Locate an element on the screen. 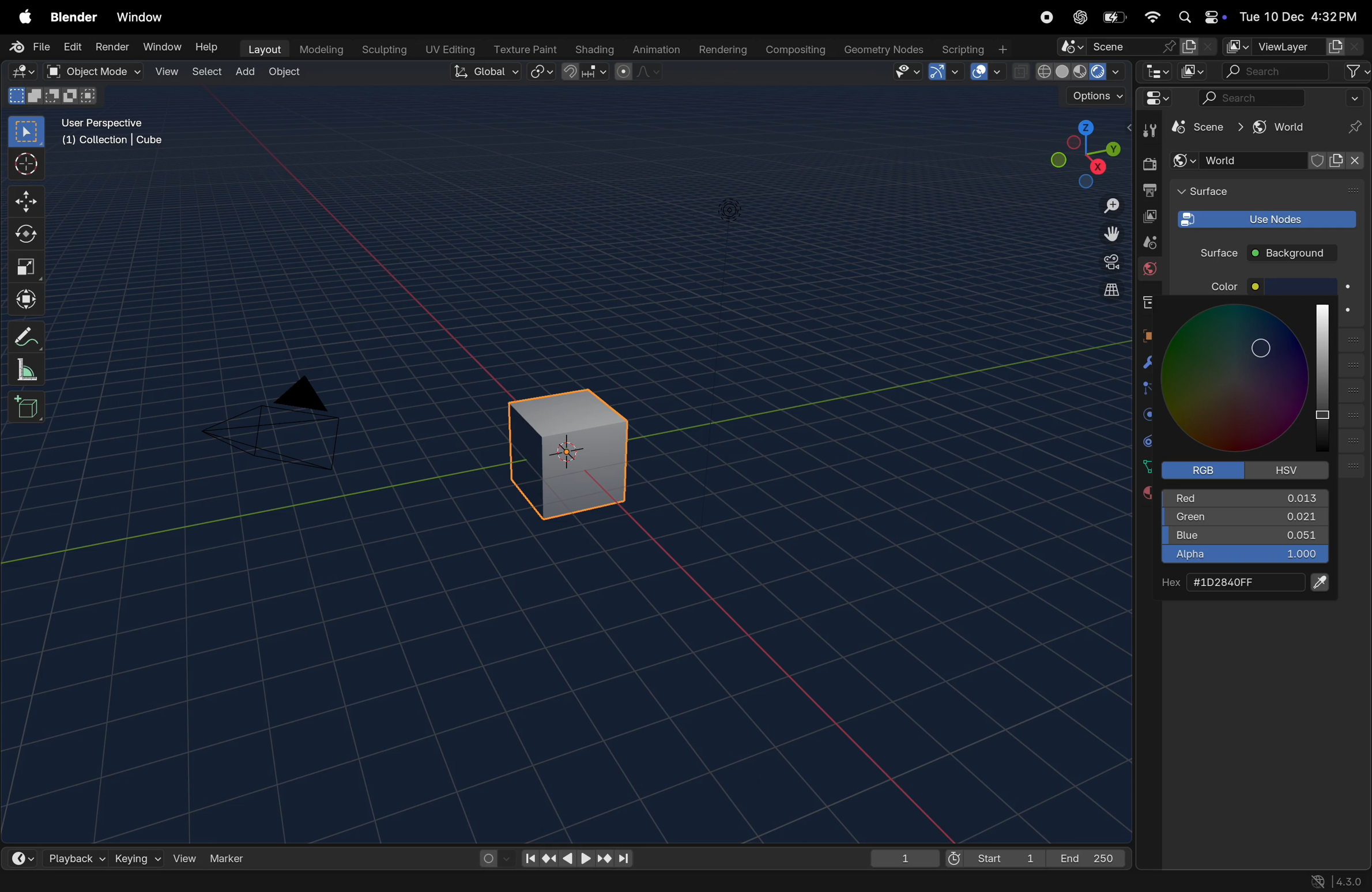  render is located at coordinates (1148, 164).